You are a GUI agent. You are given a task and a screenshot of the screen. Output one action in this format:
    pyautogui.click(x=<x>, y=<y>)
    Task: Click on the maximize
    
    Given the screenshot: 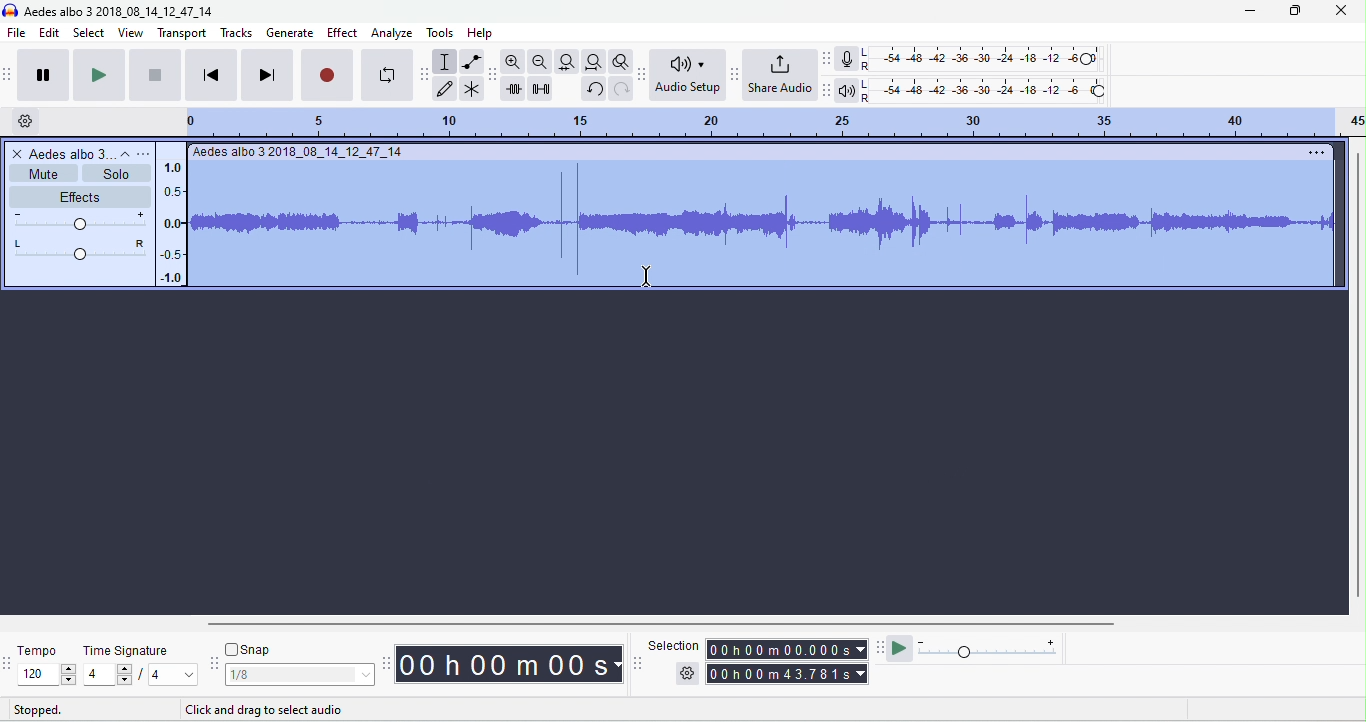 What is the action you would take?
    pyautogui.click(x=1294, y=10)
    